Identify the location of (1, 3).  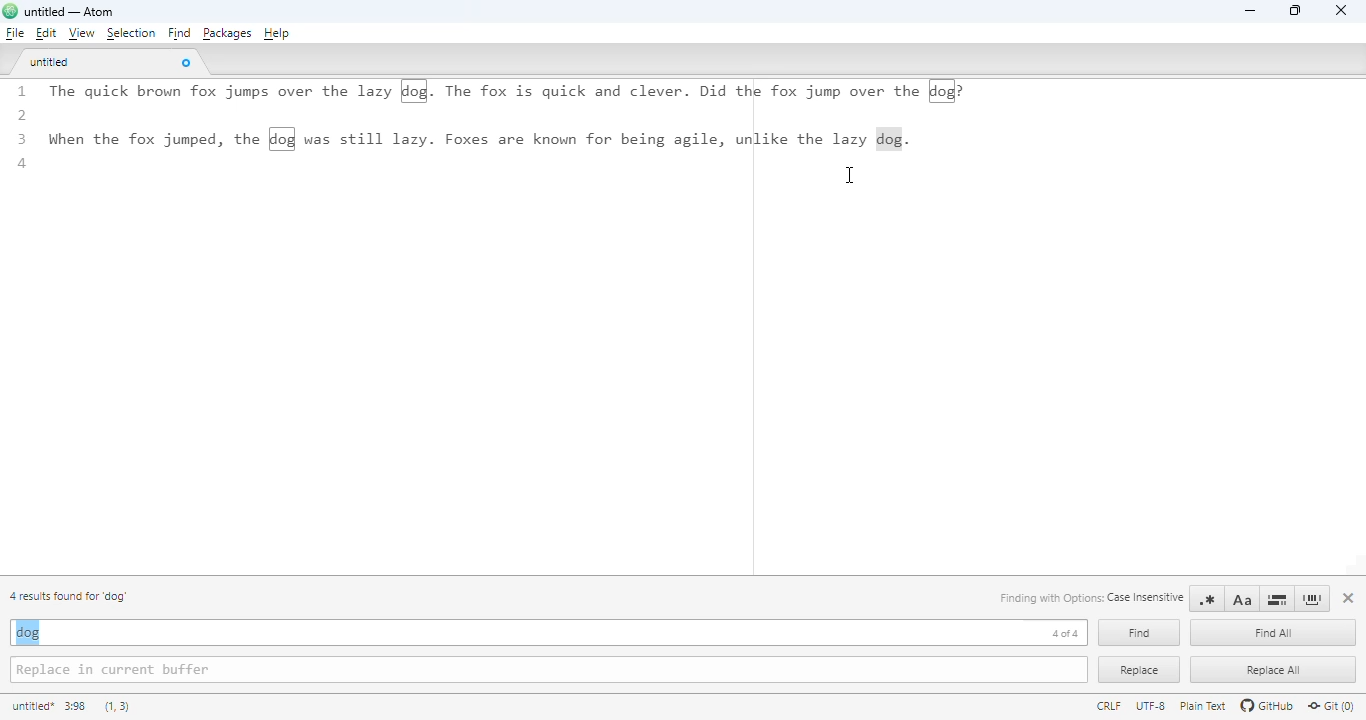
(119, 708).